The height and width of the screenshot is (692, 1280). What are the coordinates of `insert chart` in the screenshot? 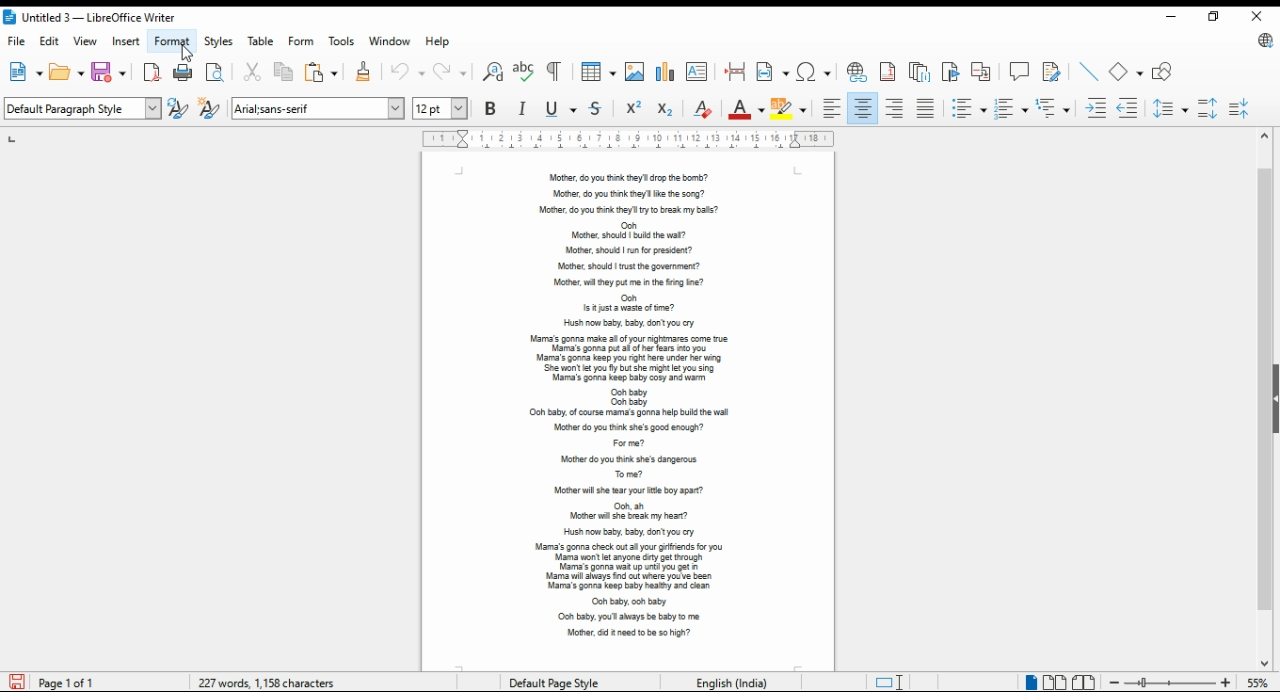 It's located at (667, 72).